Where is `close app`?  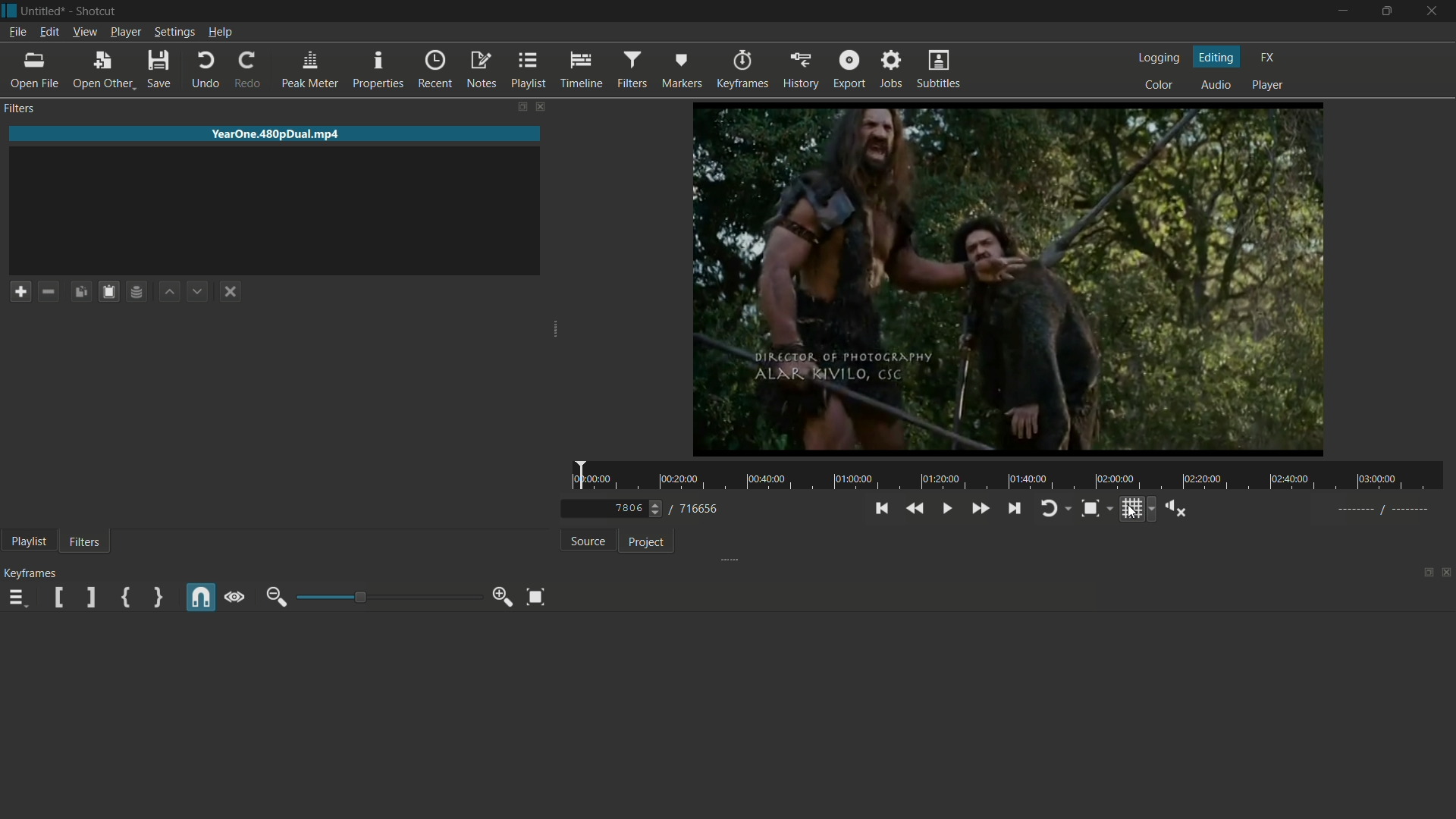 close app is located at coordinates (1438, 11).